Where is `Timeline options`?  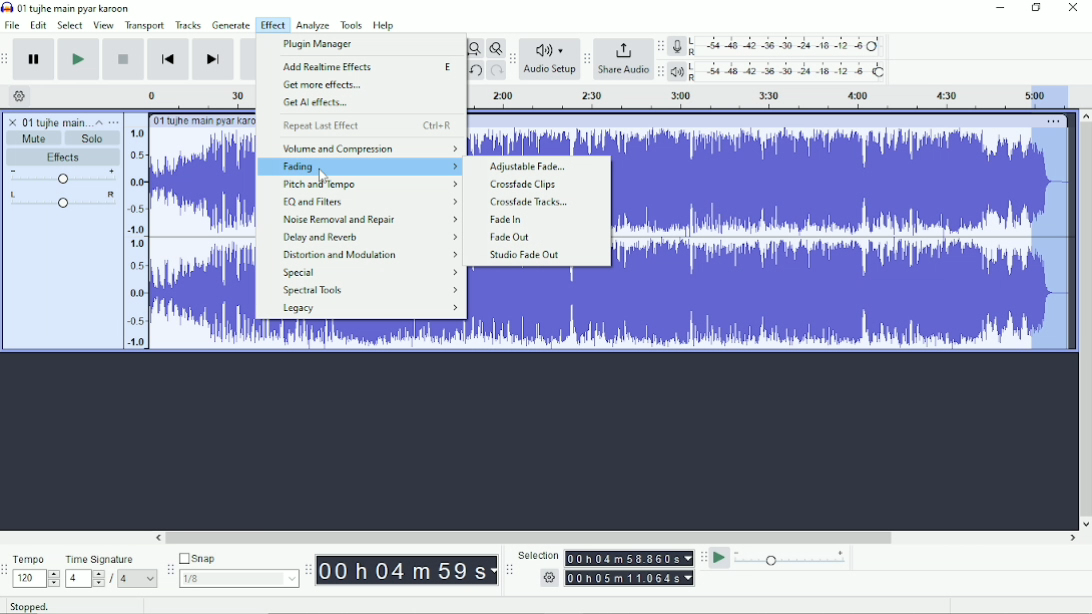
Timeline options is located at coordinates (20, 95).